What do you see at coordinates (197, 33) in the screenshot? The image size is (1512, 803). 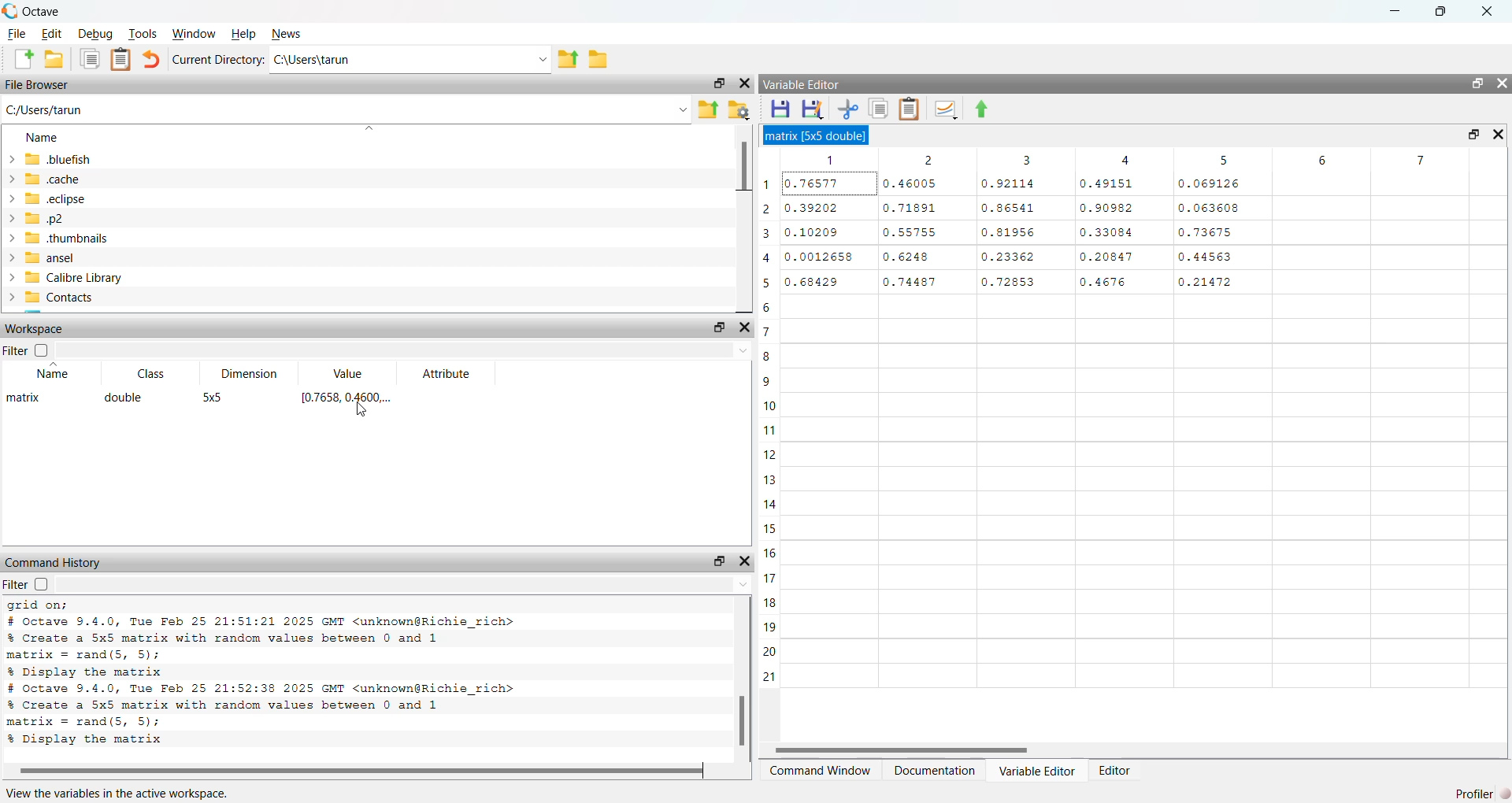 I see `Window` at bounding box center [197, 33].